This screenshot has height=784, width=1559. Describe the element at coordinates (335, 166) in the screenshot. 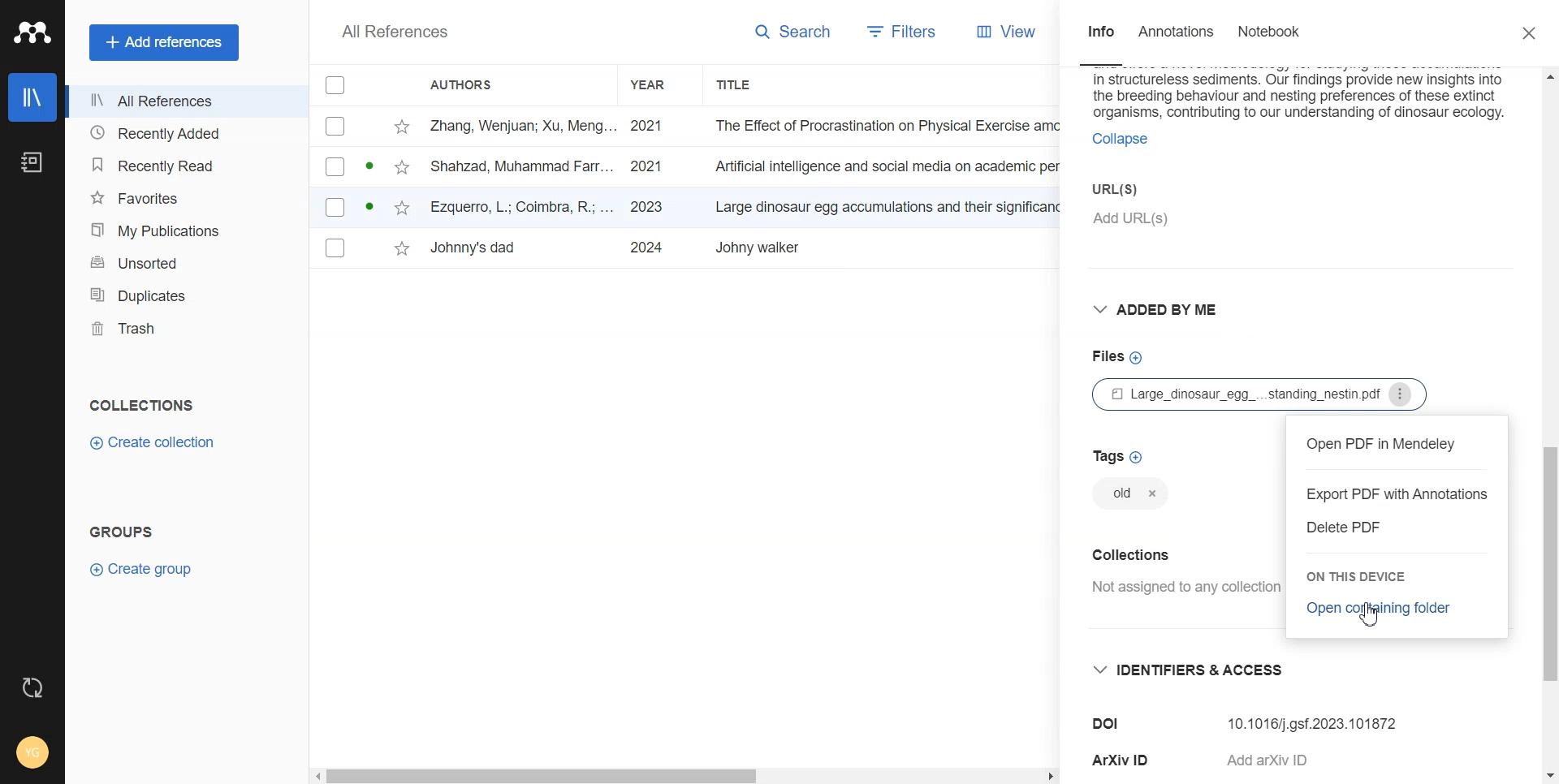

I see `(un)select` at that location.